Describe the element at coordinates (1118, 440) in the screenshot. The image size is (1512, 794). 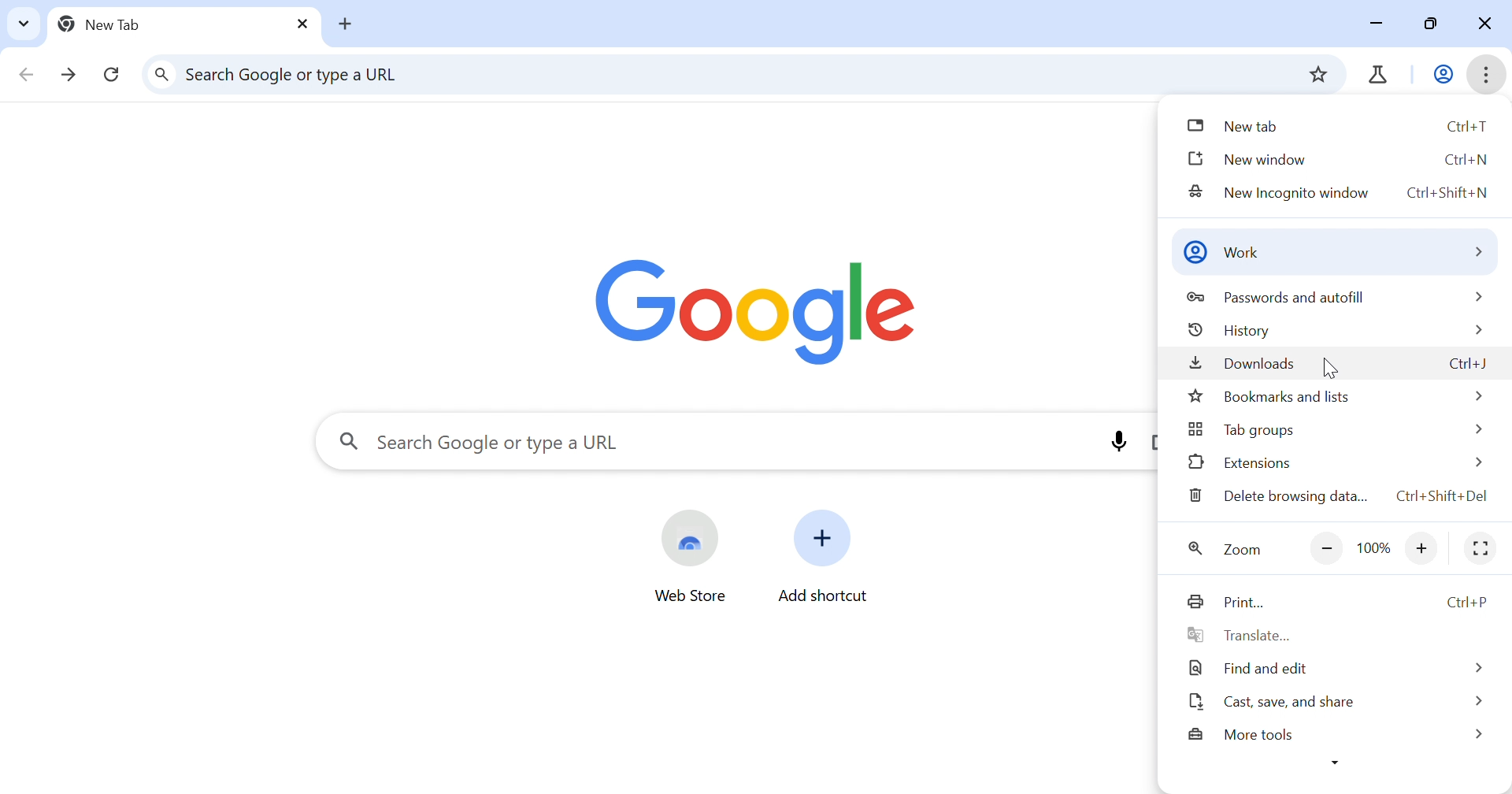
I see `Search by voice` at that location.